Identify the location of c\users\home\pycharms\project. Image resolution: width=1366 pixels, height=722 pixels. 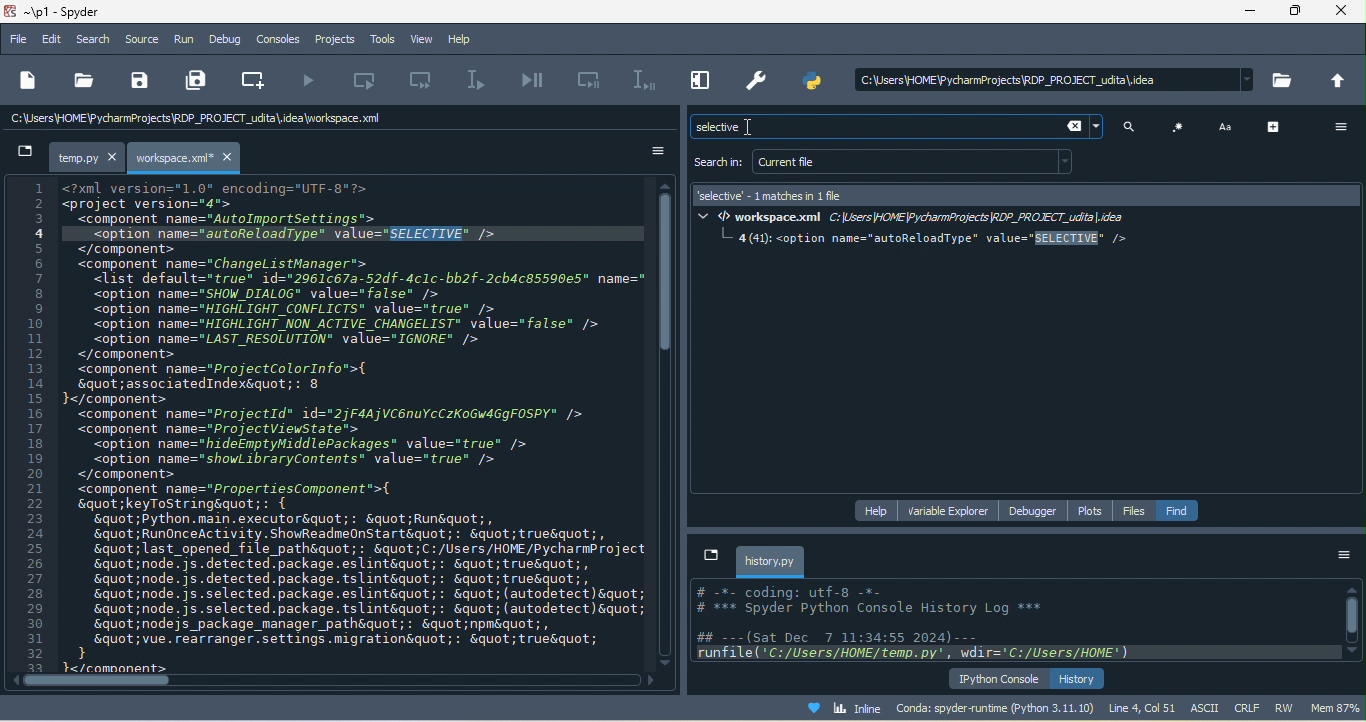
(1047, 80).